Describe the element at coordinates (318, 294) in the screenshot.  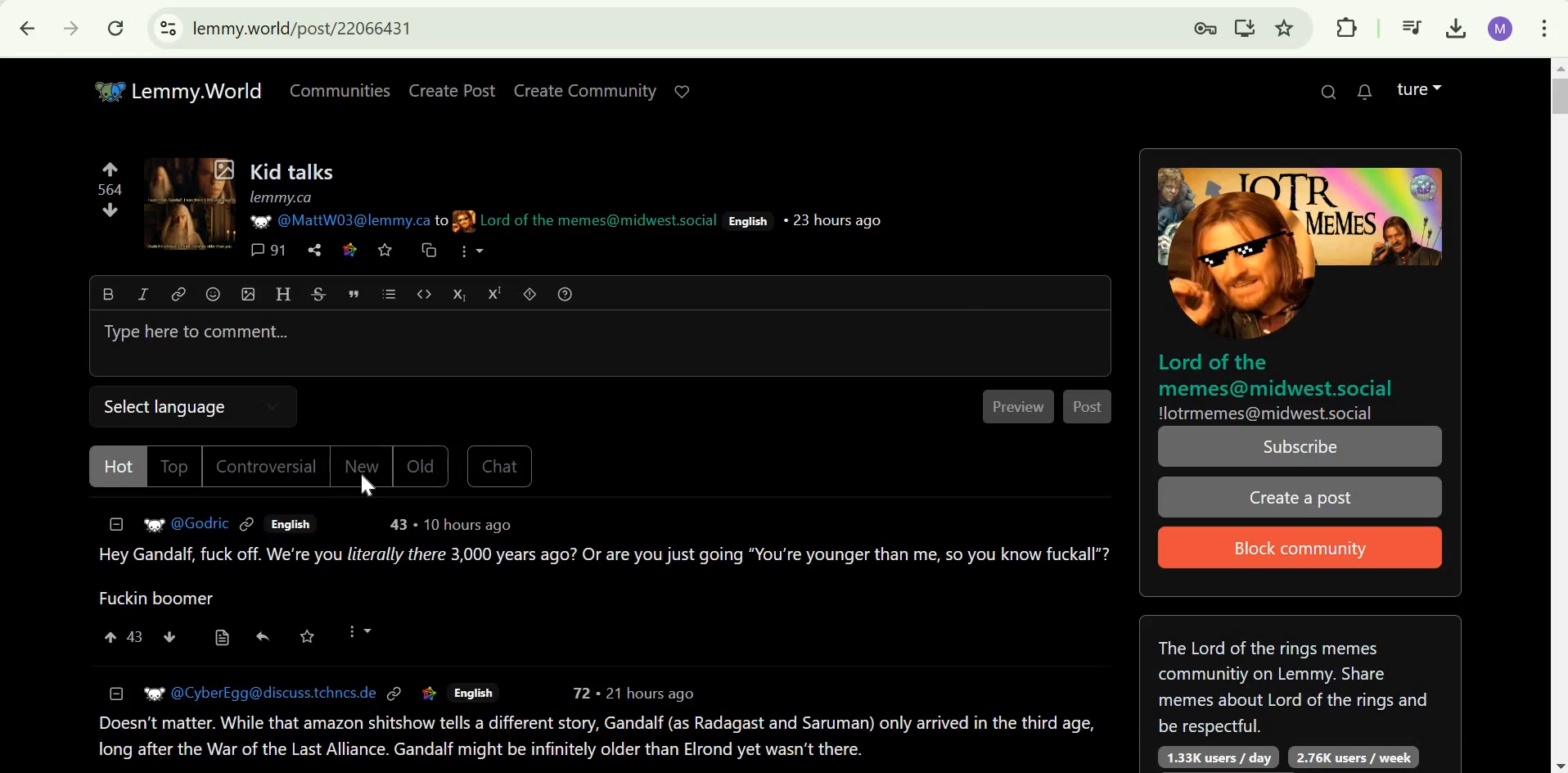
I see `strikethrough` at that location.